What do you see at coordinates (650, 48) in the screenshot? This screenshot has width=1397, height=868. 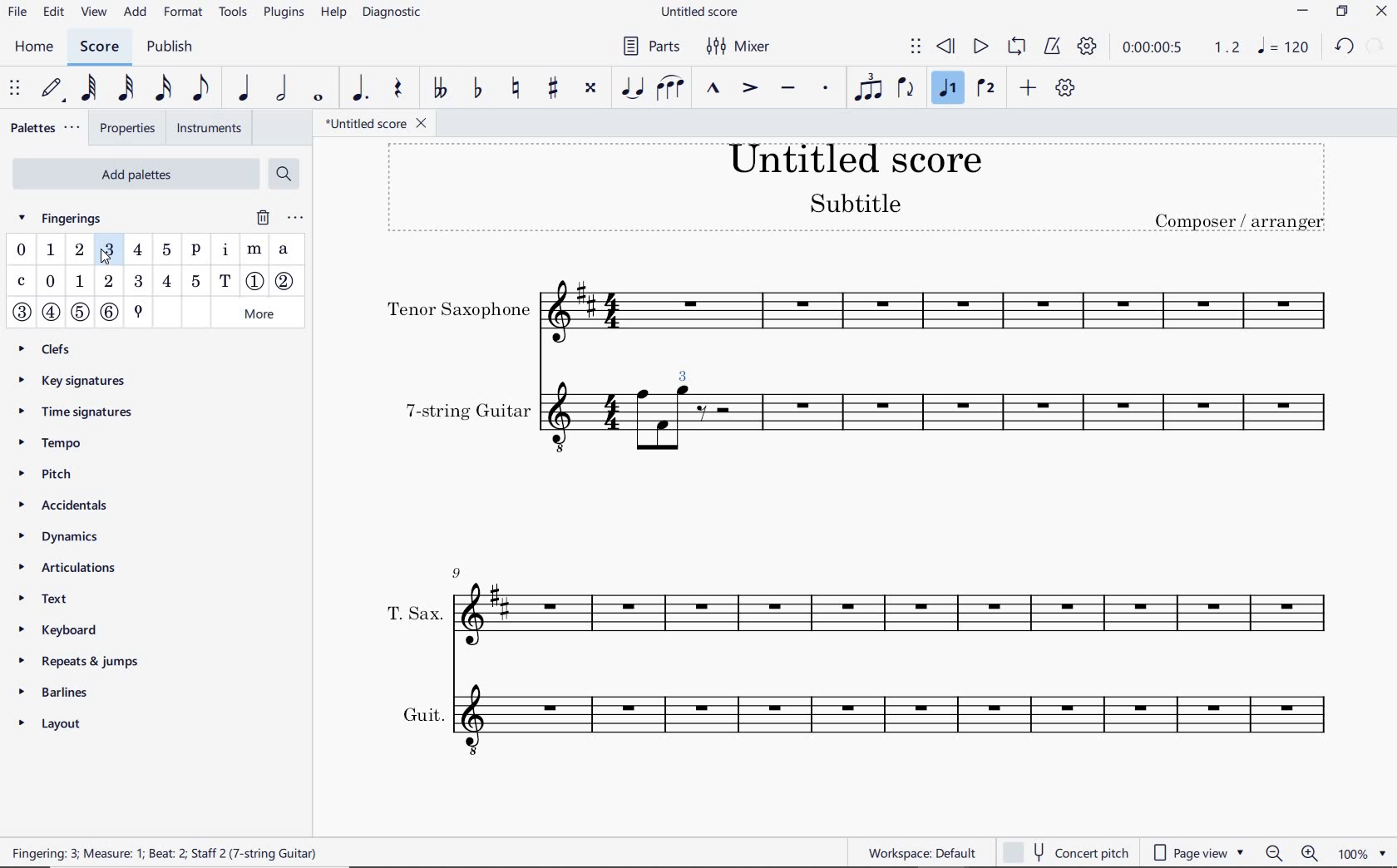 I see `PARTS` at bounding box center [650, 48].